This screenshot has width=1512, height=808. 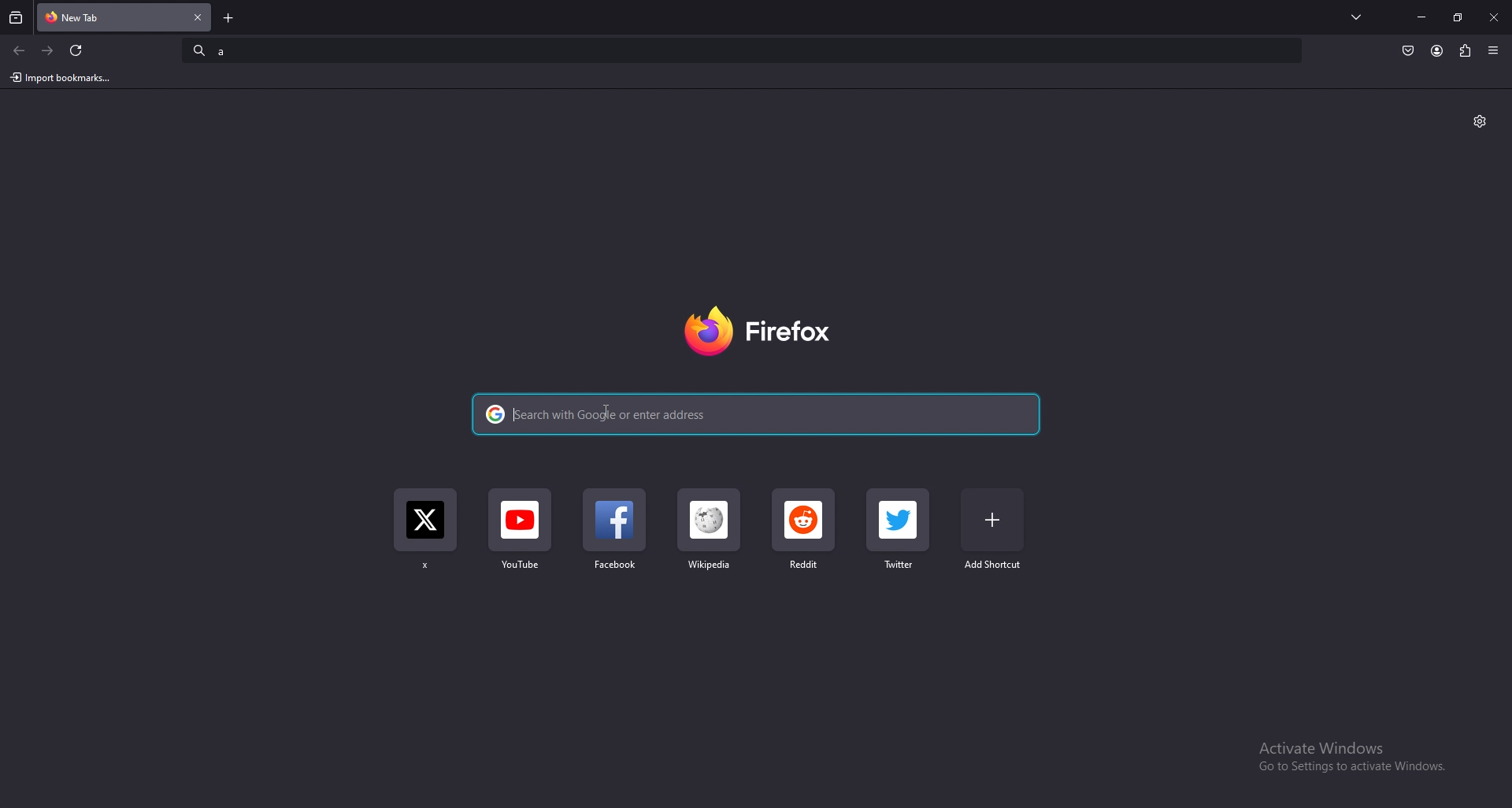 What do you see at coordinates (1436, 51) in the screenshot?
I see `profile` at bounding box center [1436, 51].